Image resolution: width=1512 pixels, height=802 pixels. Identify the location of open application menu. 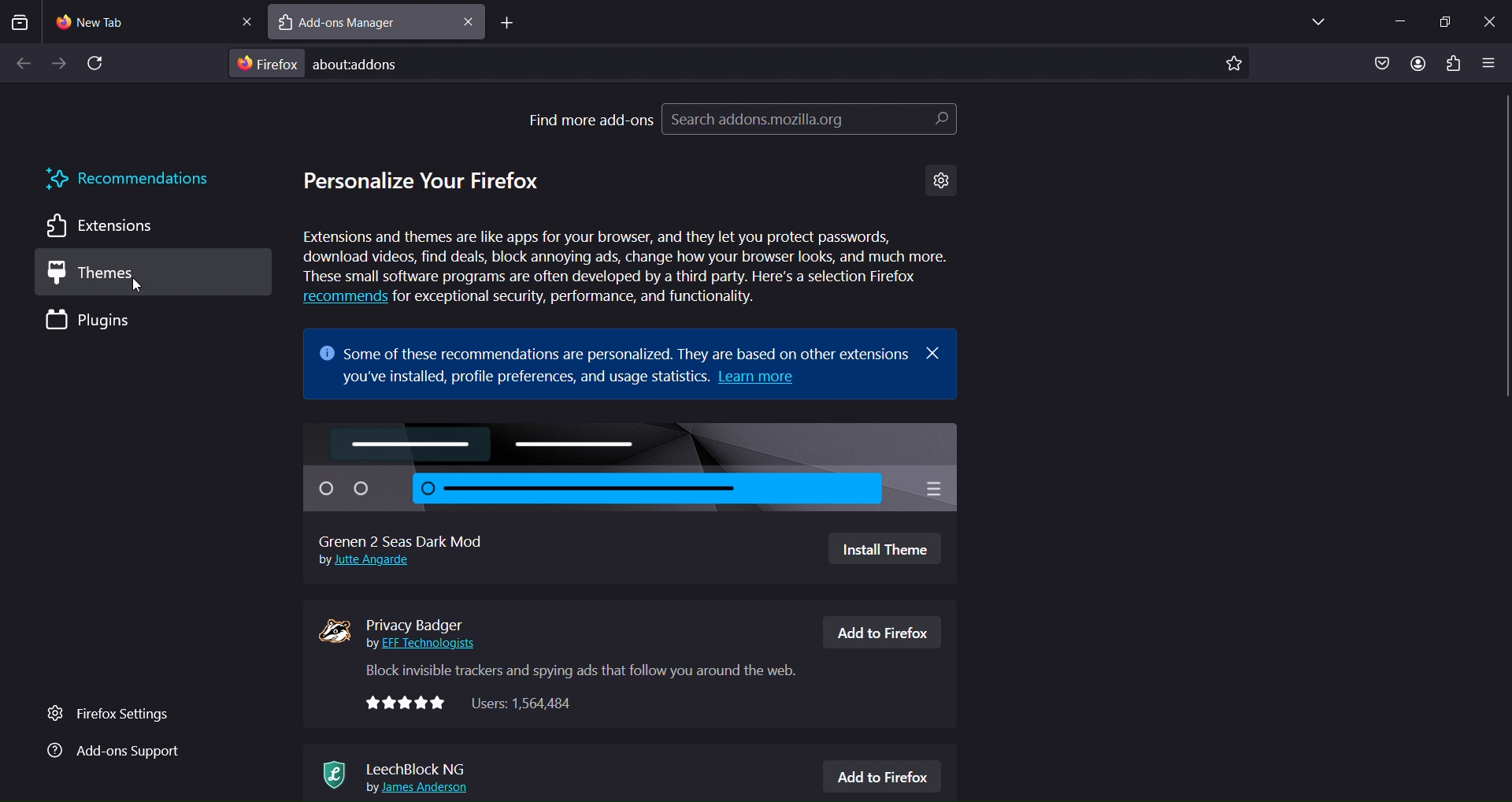
(1489, 65).